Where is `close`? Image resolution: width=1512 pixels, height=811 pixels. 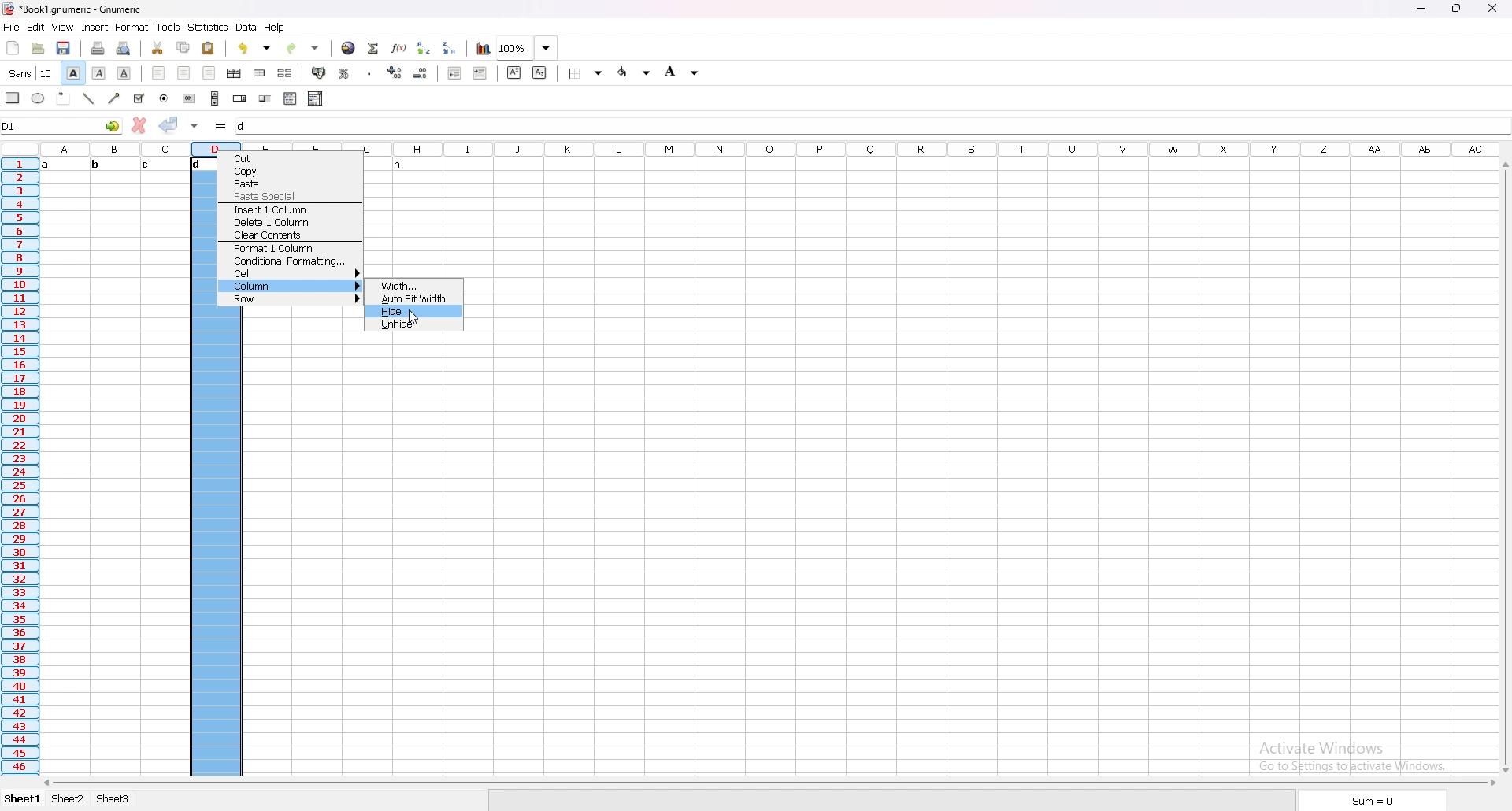
close is located at coordinates (1492, 9).